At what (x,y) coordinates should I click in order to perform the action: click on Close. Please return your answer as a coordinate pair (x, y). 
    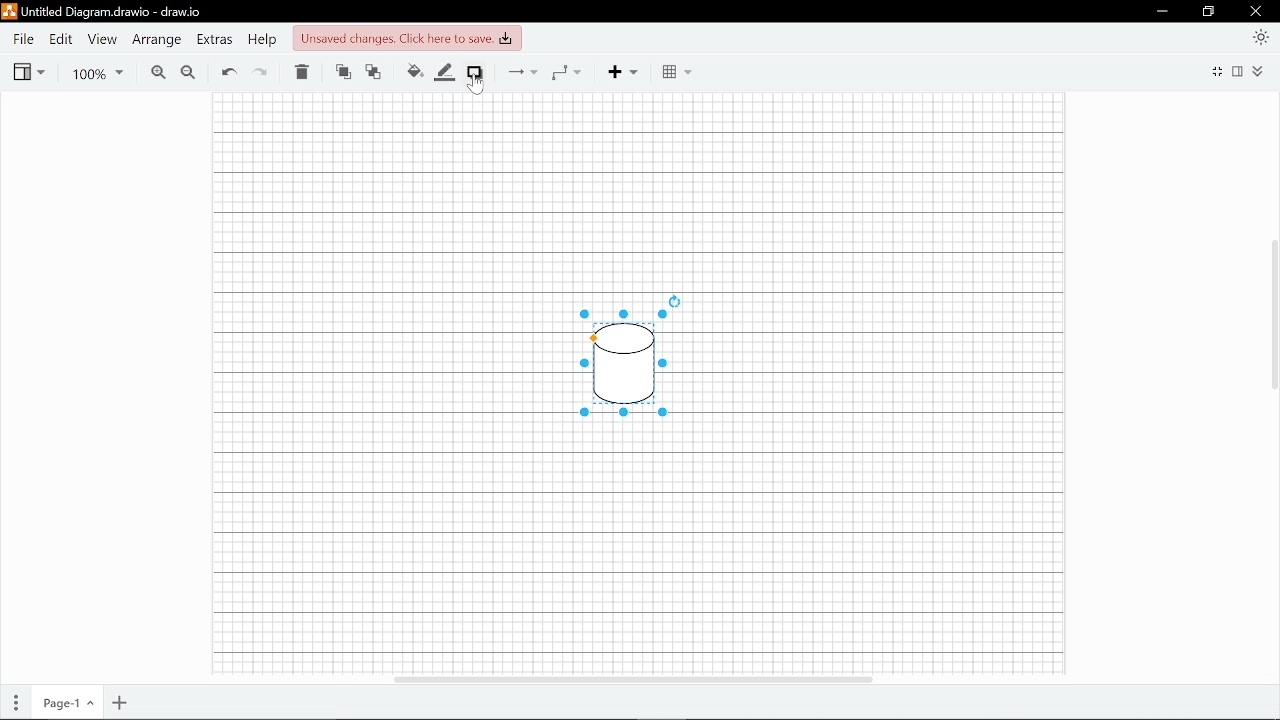
    Looking at the image, I should click on (1258, 11).